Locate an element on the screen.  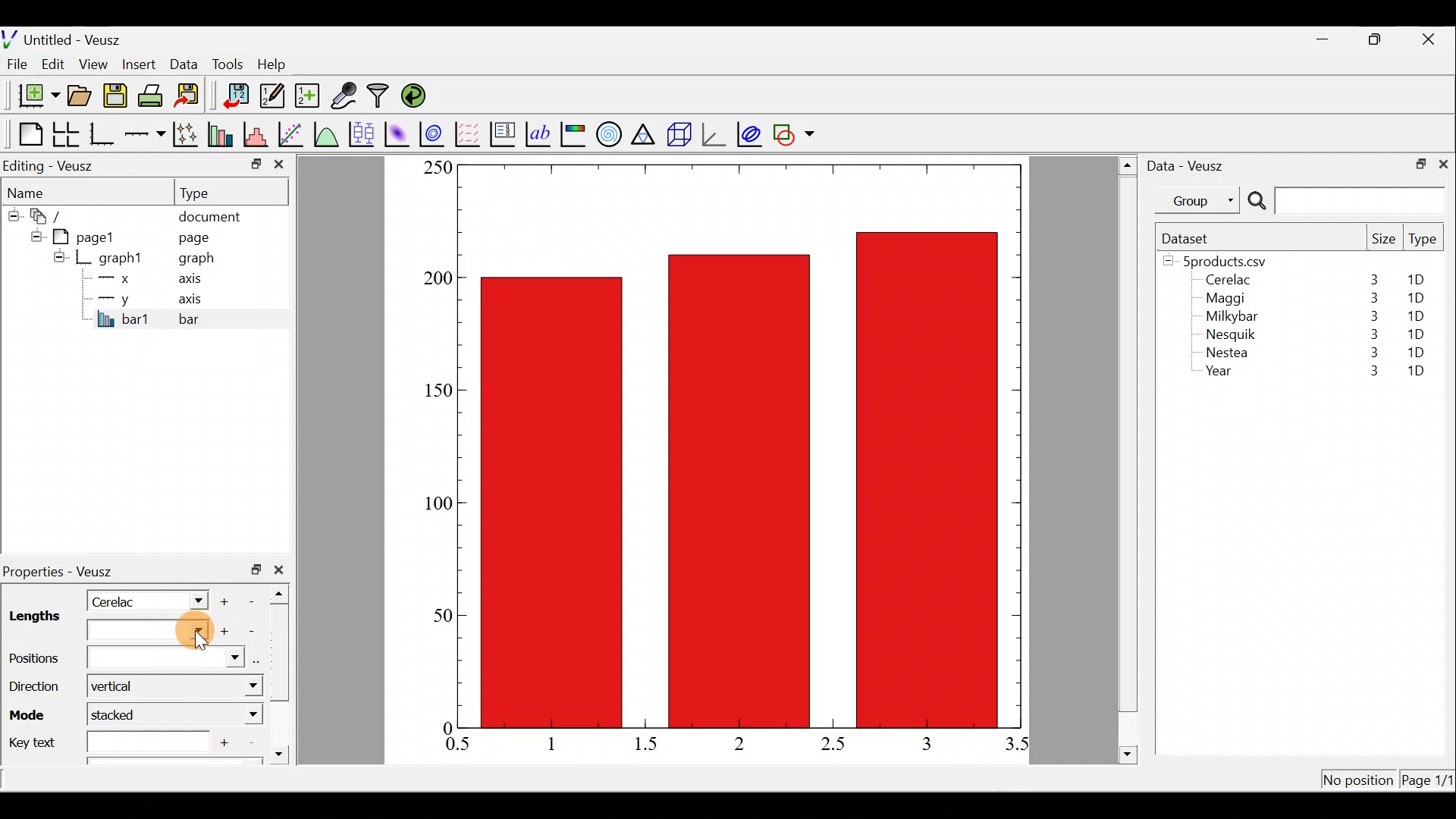
1.5 is located at coordinates (649, 745).